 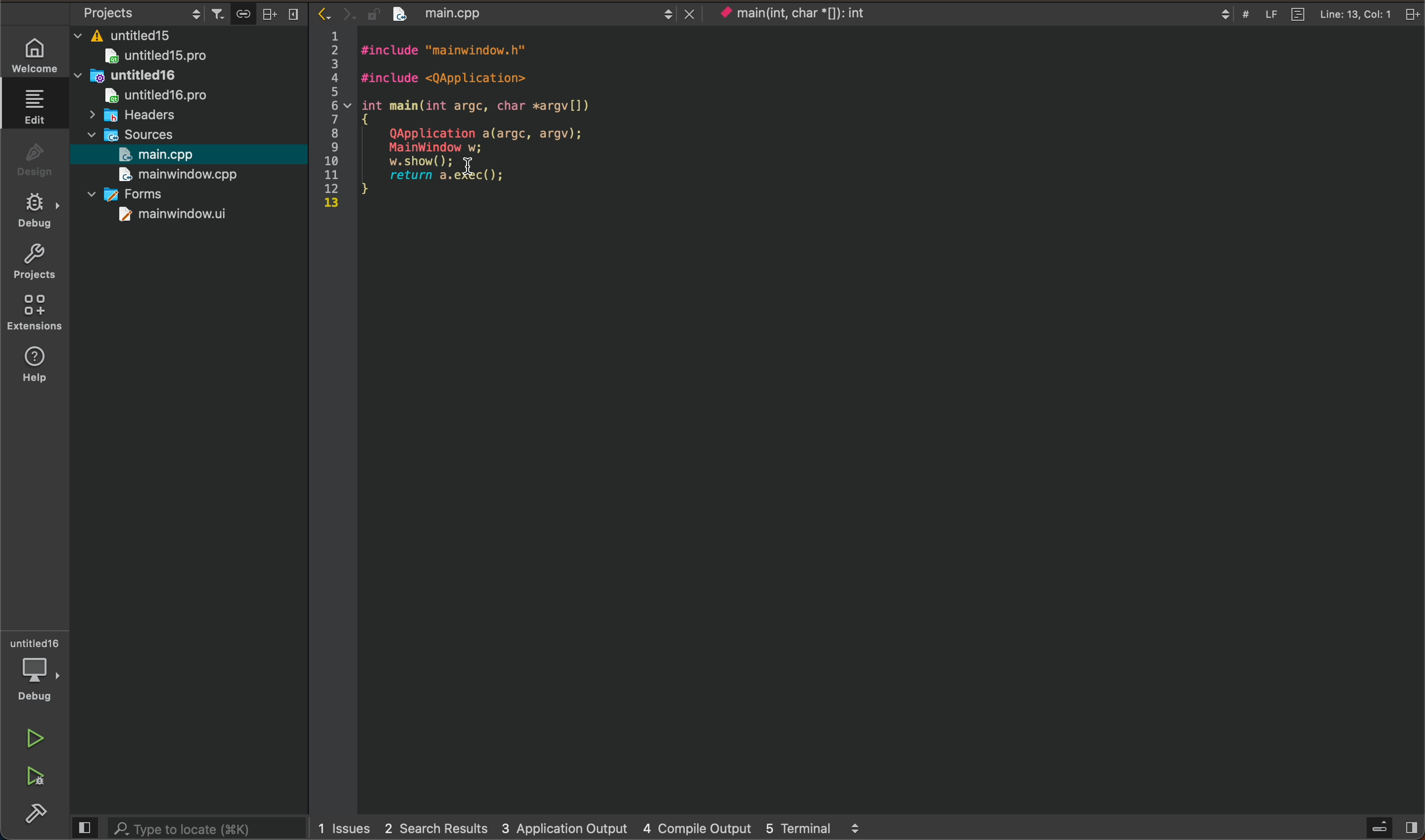 I want to click on build, so click(x=29, y=813).